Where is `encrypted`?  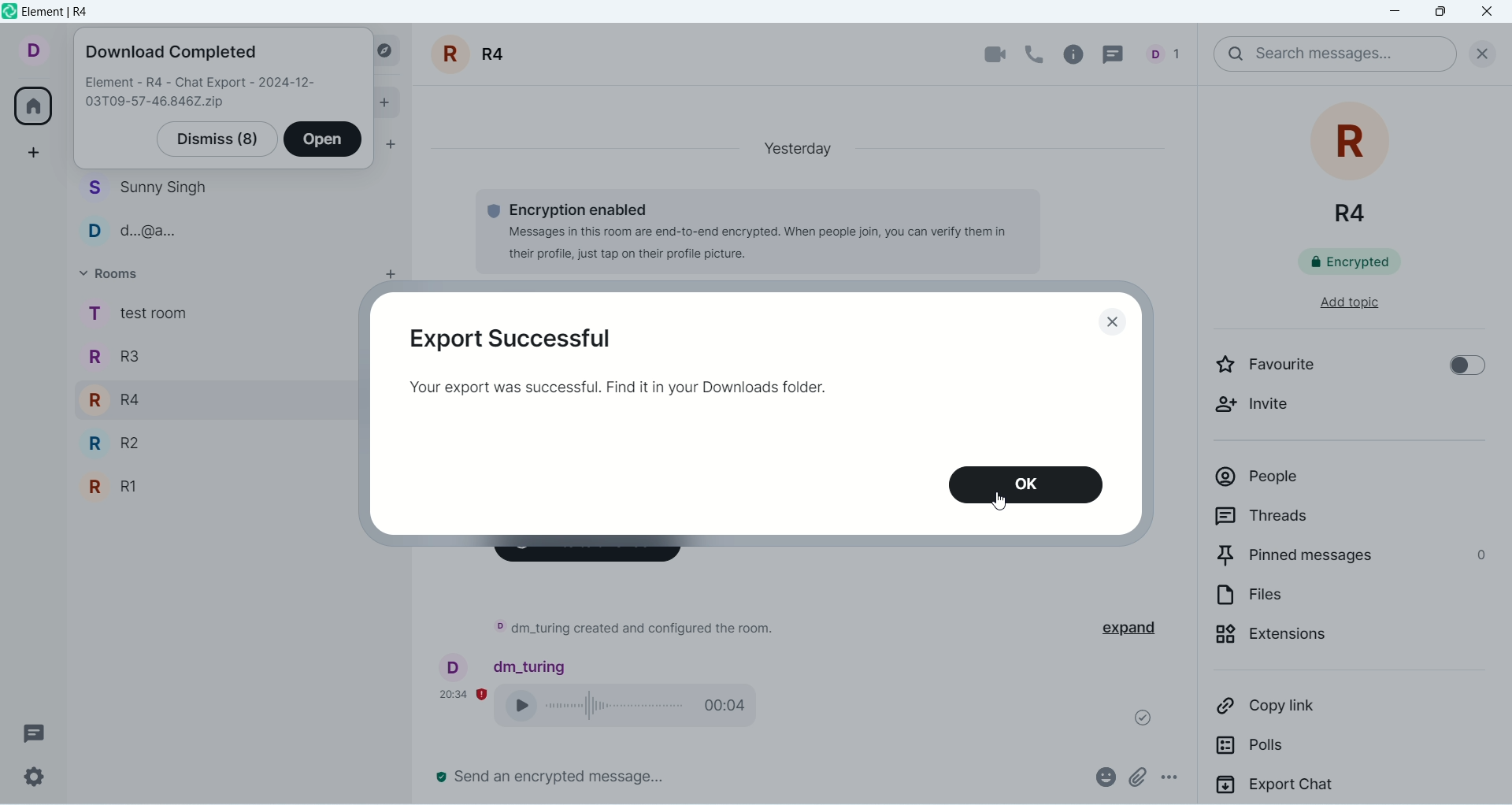
encrypted is located at coordinates (1362, 265).